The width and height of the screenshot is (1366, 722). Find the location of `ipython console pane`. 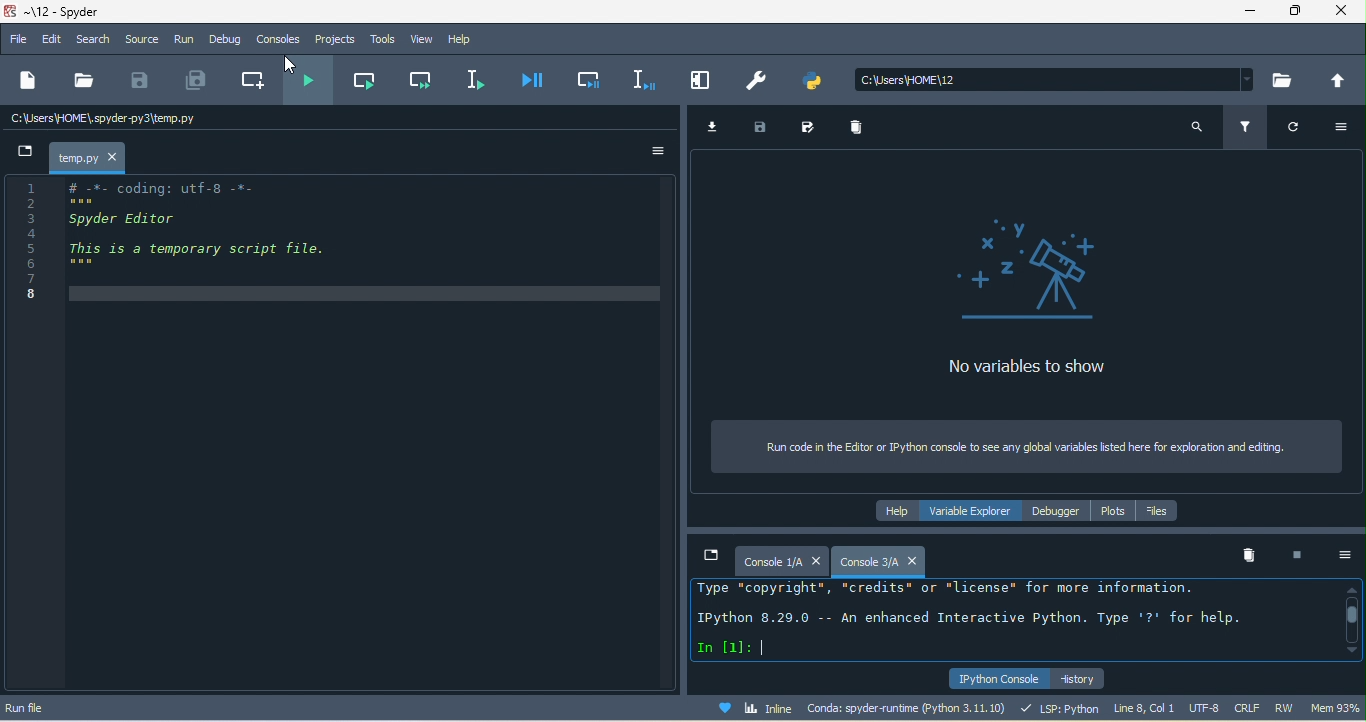

ipython console pane is located at coordinates (1012, 619).